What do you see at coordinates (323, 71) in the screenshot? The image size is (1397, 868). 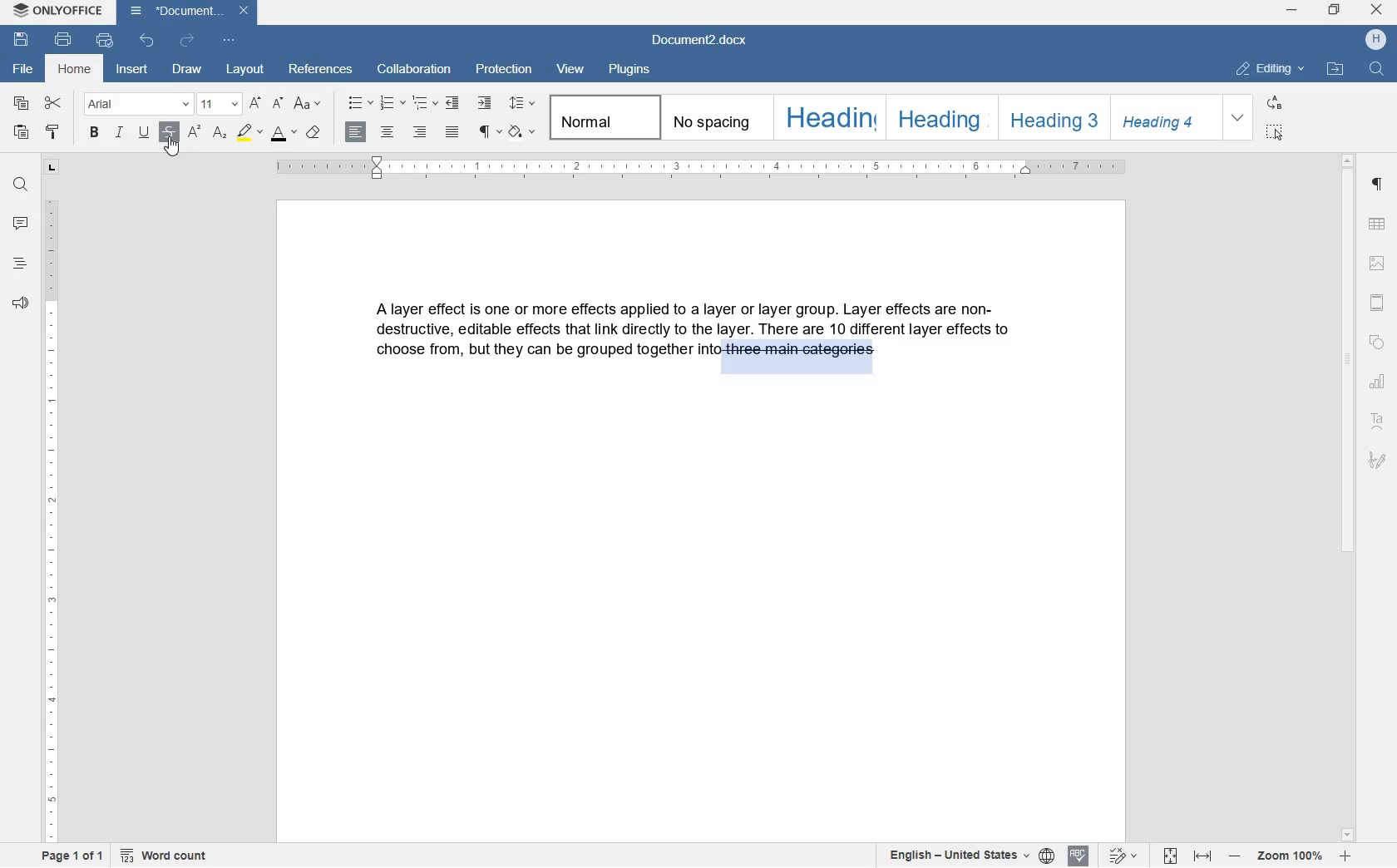 I see `references` at bounding box center [323, 71].